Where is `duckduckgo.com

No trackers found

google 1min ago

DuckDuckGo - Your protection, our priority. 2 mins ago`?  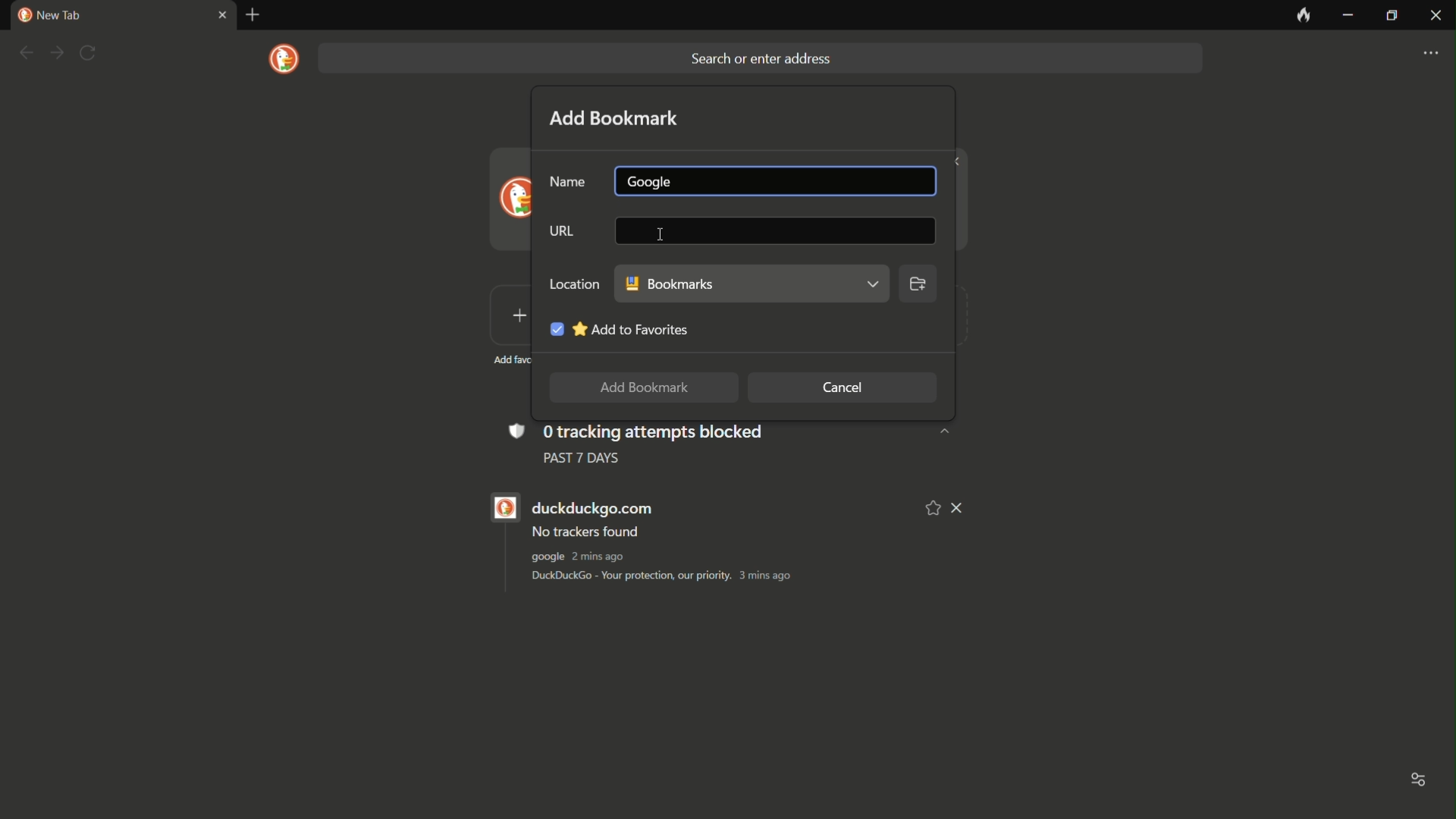
duckduckgo.com

No trackers found

google 1min ago

DuckDuckGo - Your protection, our priority. 2 mins ago is located at coordinates (703, 542).